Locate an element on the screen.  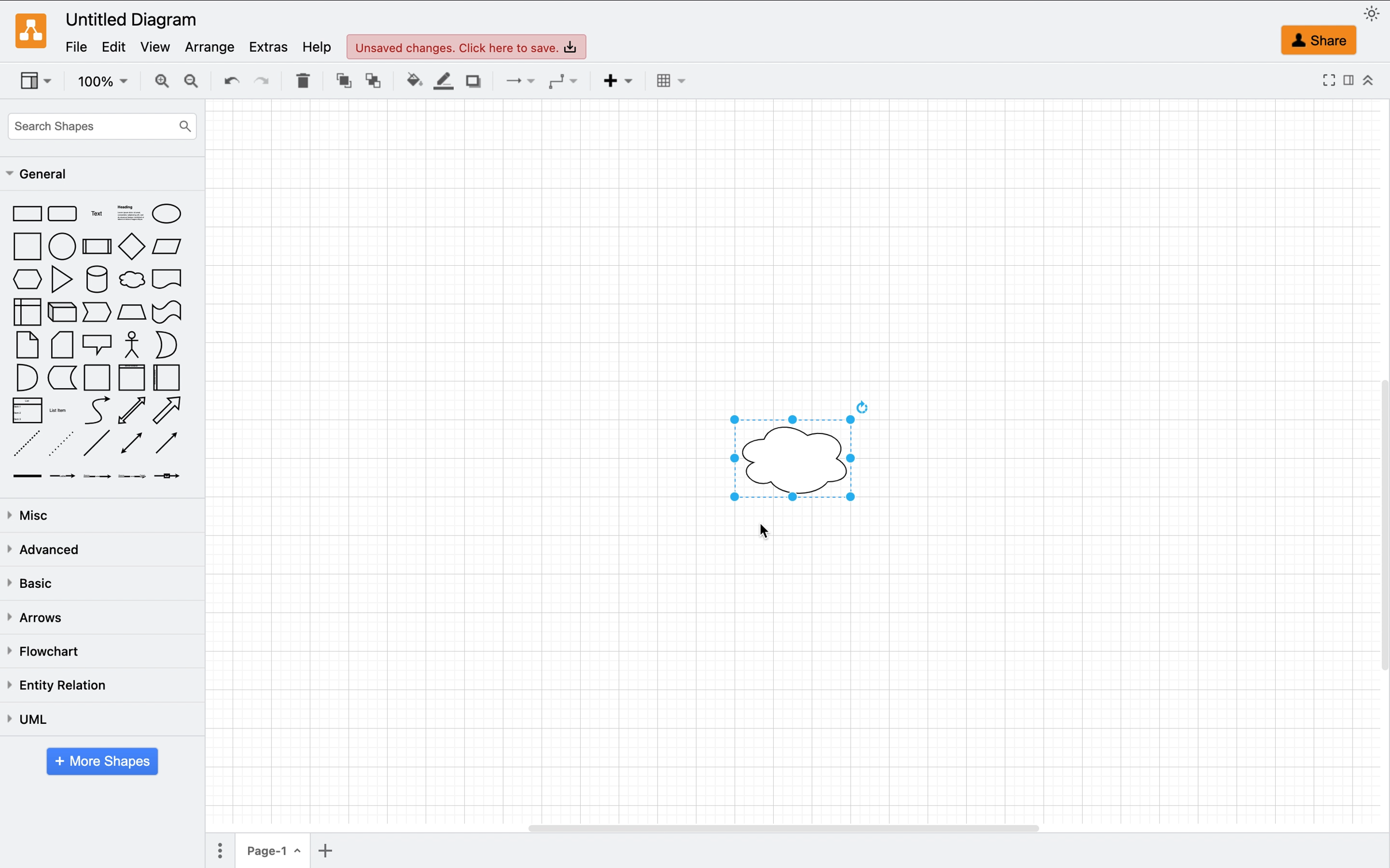
container is located at coordinates (99, 377).